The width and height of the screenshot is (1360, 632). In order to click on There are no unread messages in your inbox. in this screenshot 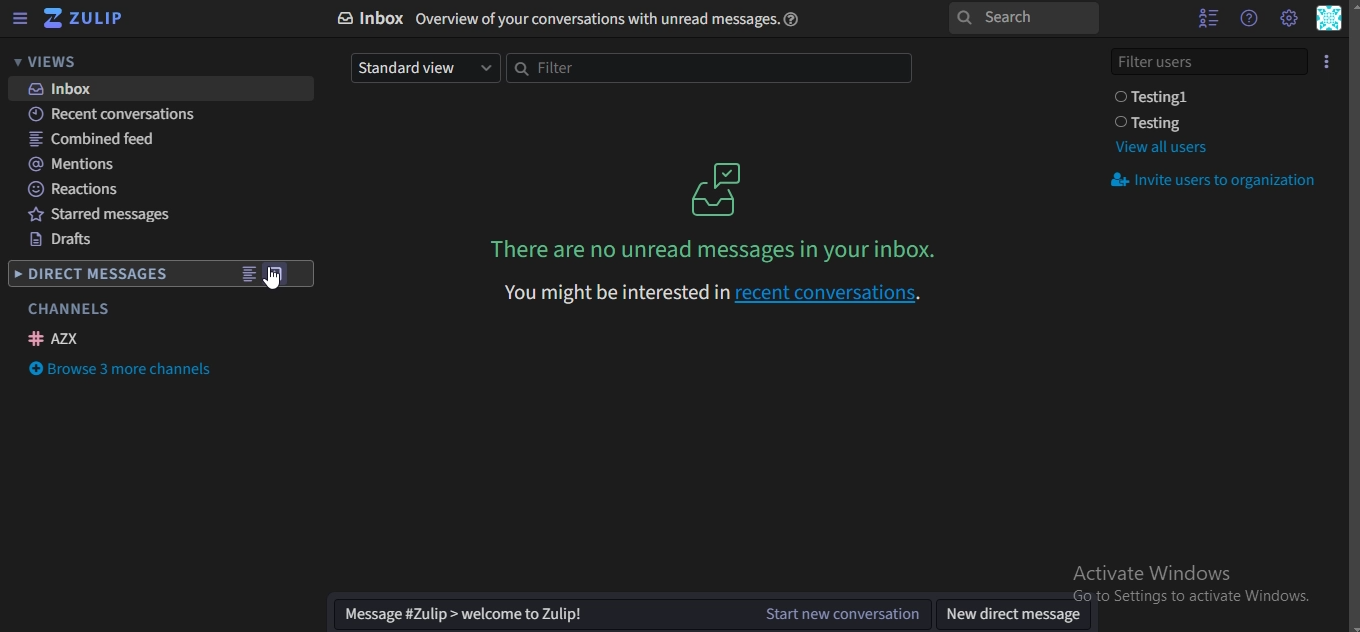, I will do `click(718, 249)`.